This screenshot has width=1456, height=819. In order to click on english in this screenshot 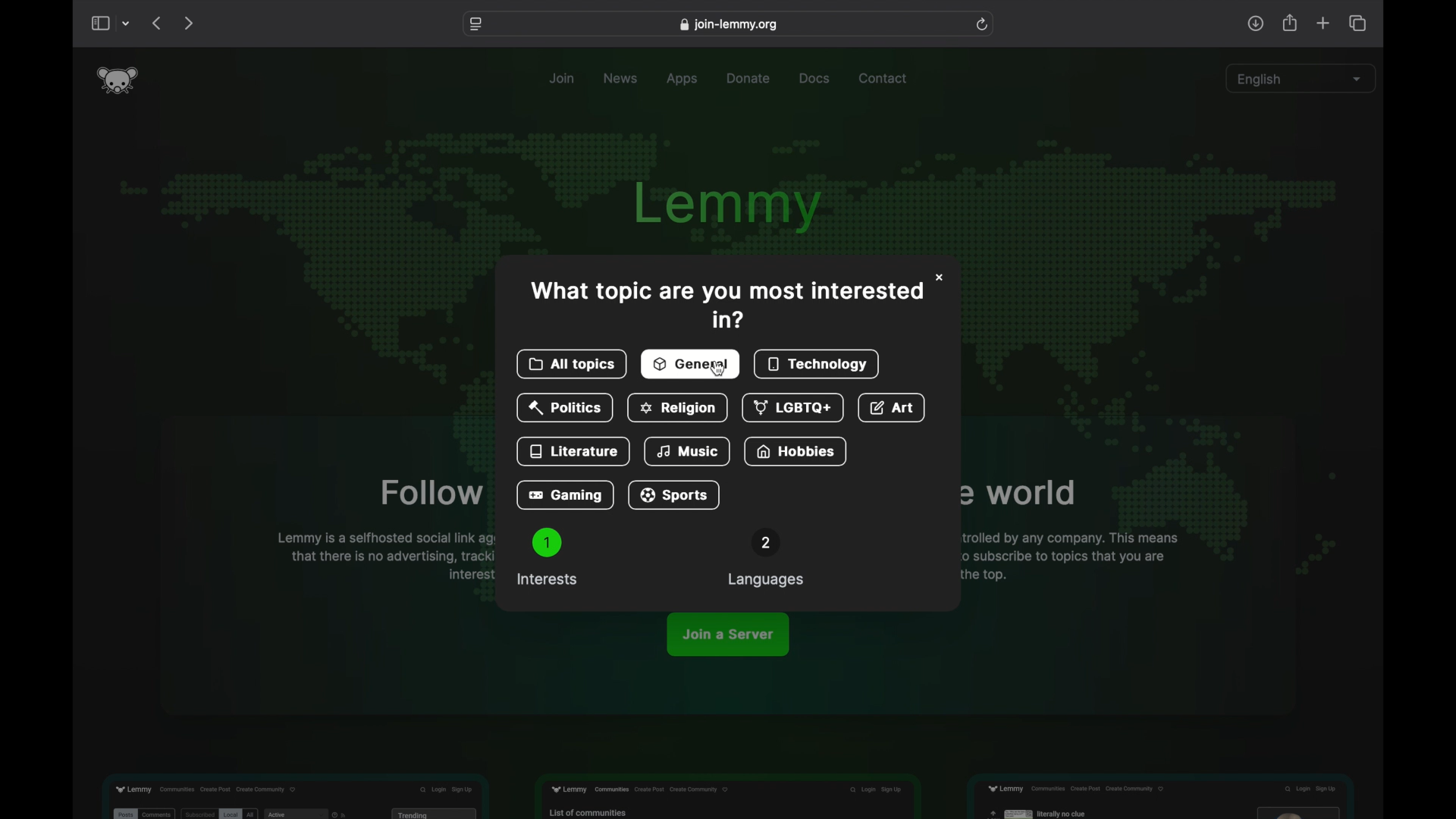, I will do `click(1300, 79)`.